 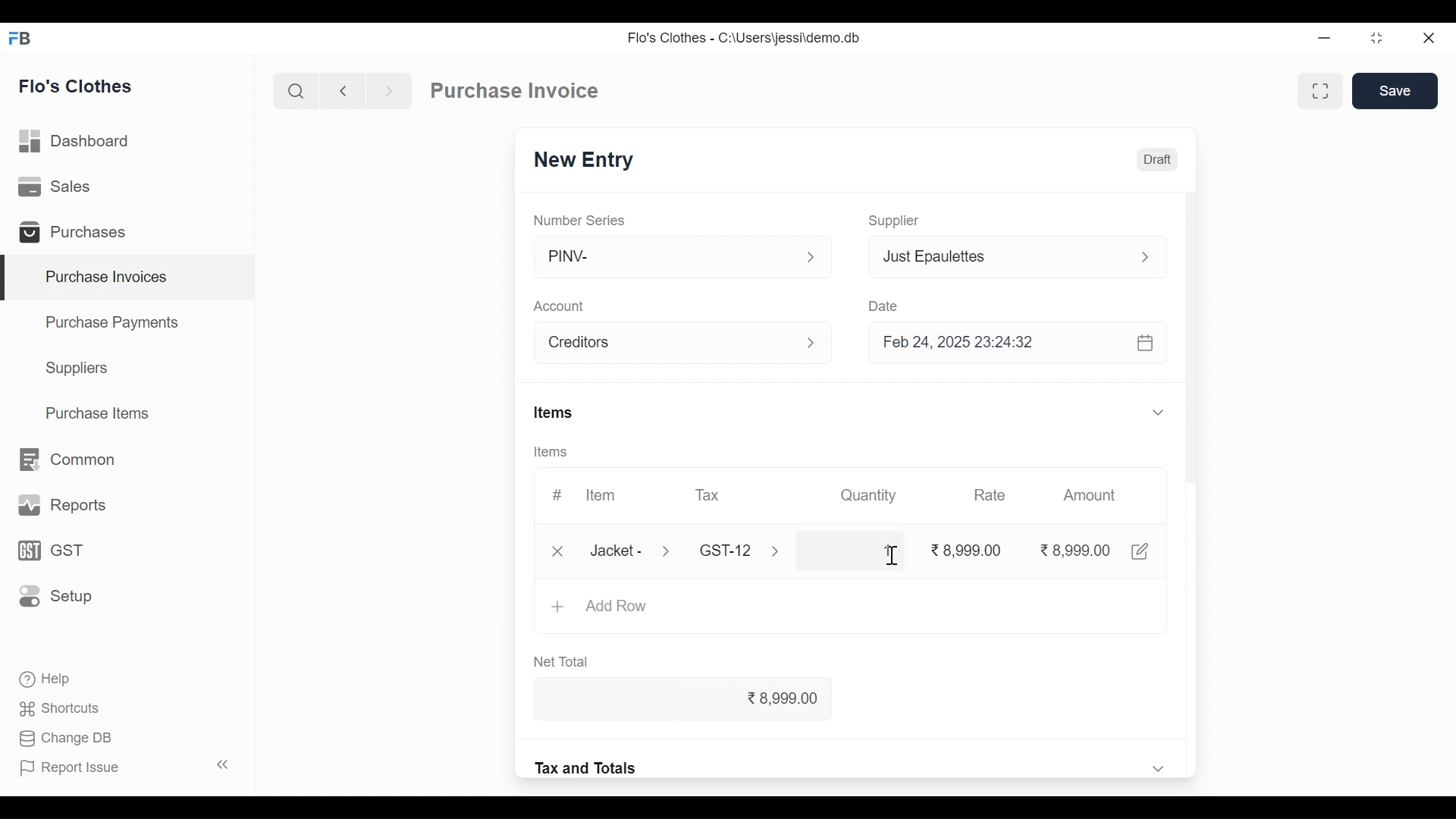 What do you see at coordinates (126, 766) in the screenshot?
I see `Report Issue` at bounding box center [126, 766].